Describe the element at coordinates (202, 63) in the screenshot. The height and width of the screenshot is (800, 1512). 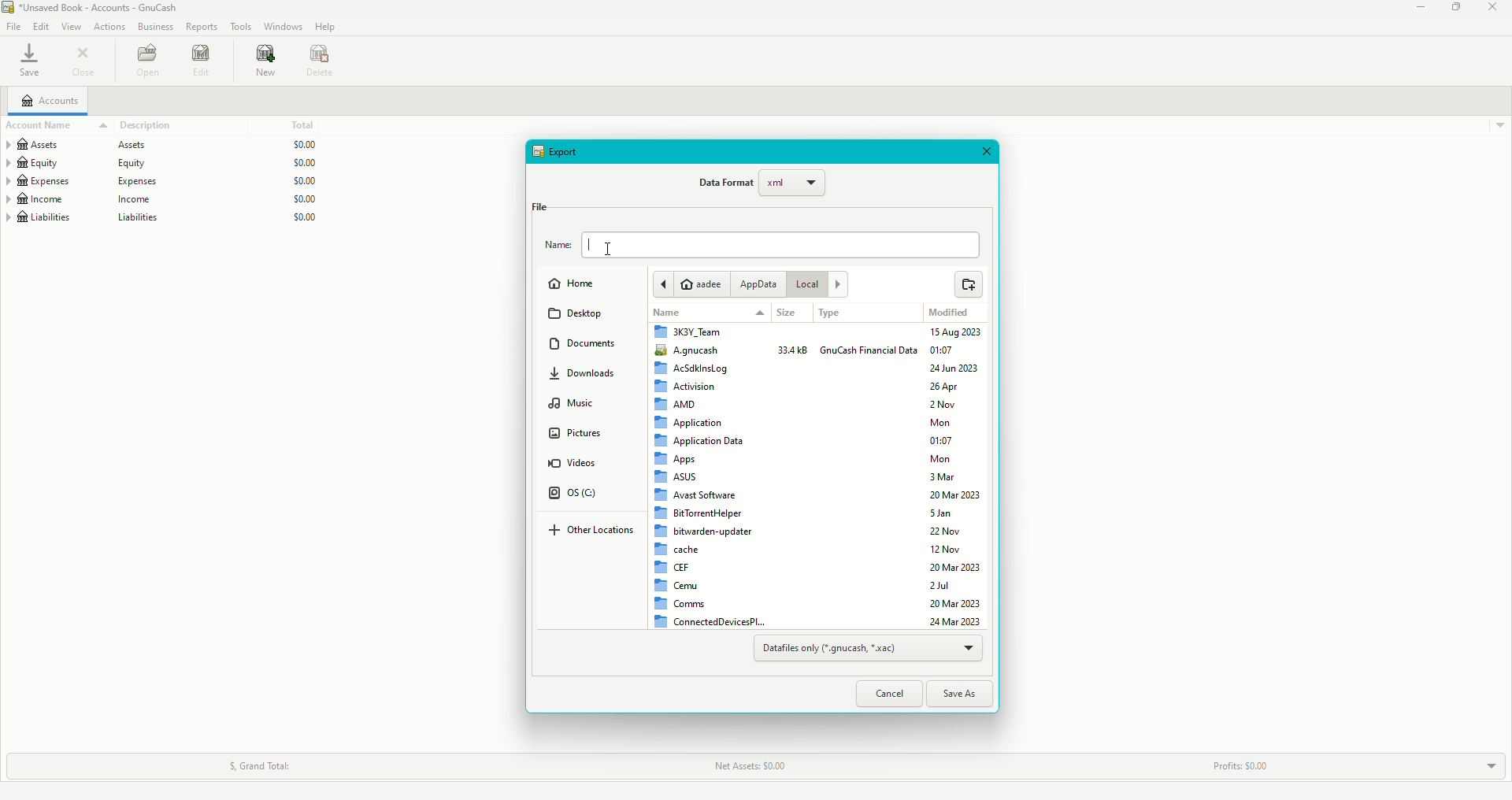
I see `Edit` at that location.